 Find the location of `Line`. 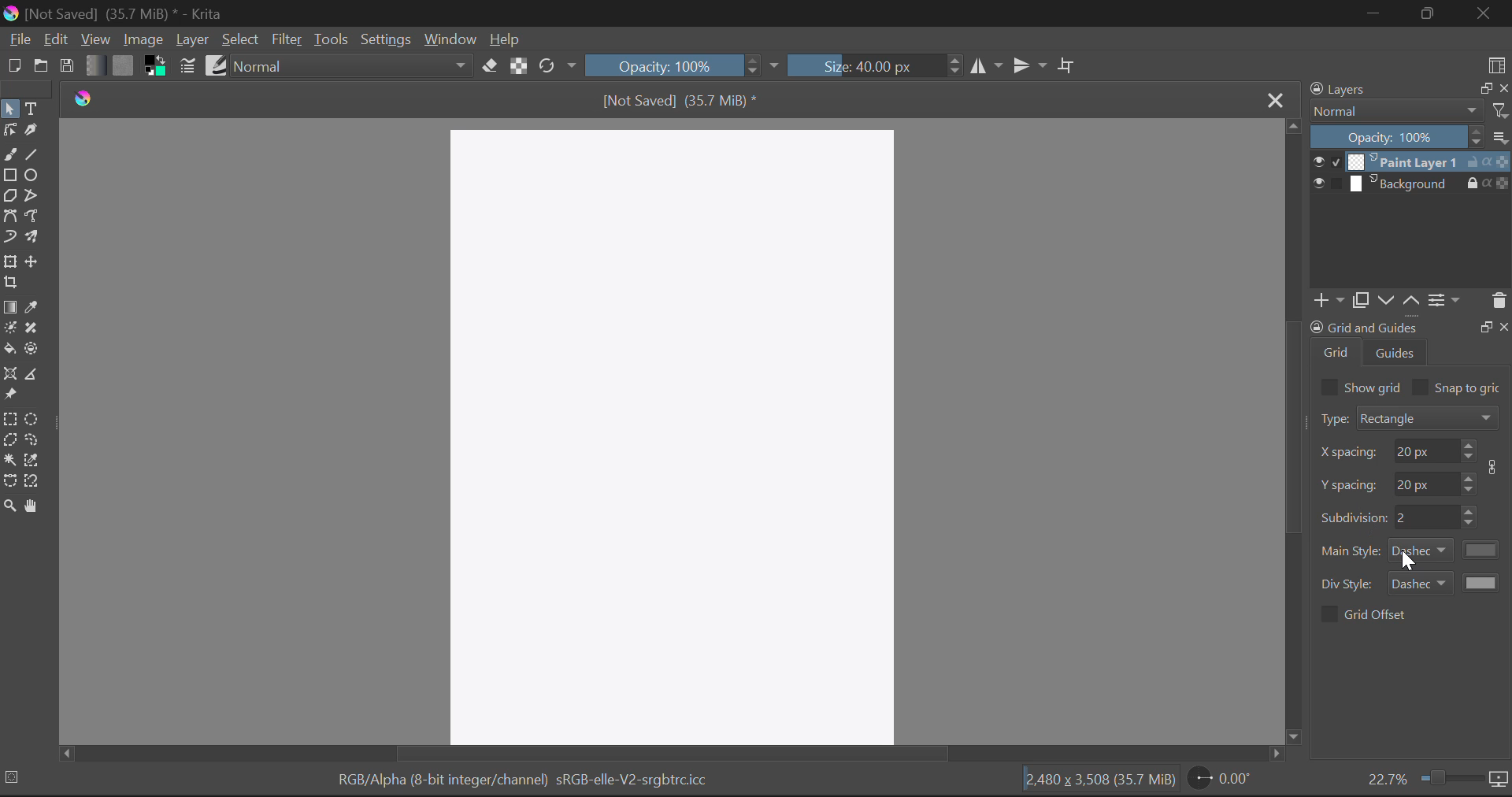

Line is located at coordinates (32, 156).